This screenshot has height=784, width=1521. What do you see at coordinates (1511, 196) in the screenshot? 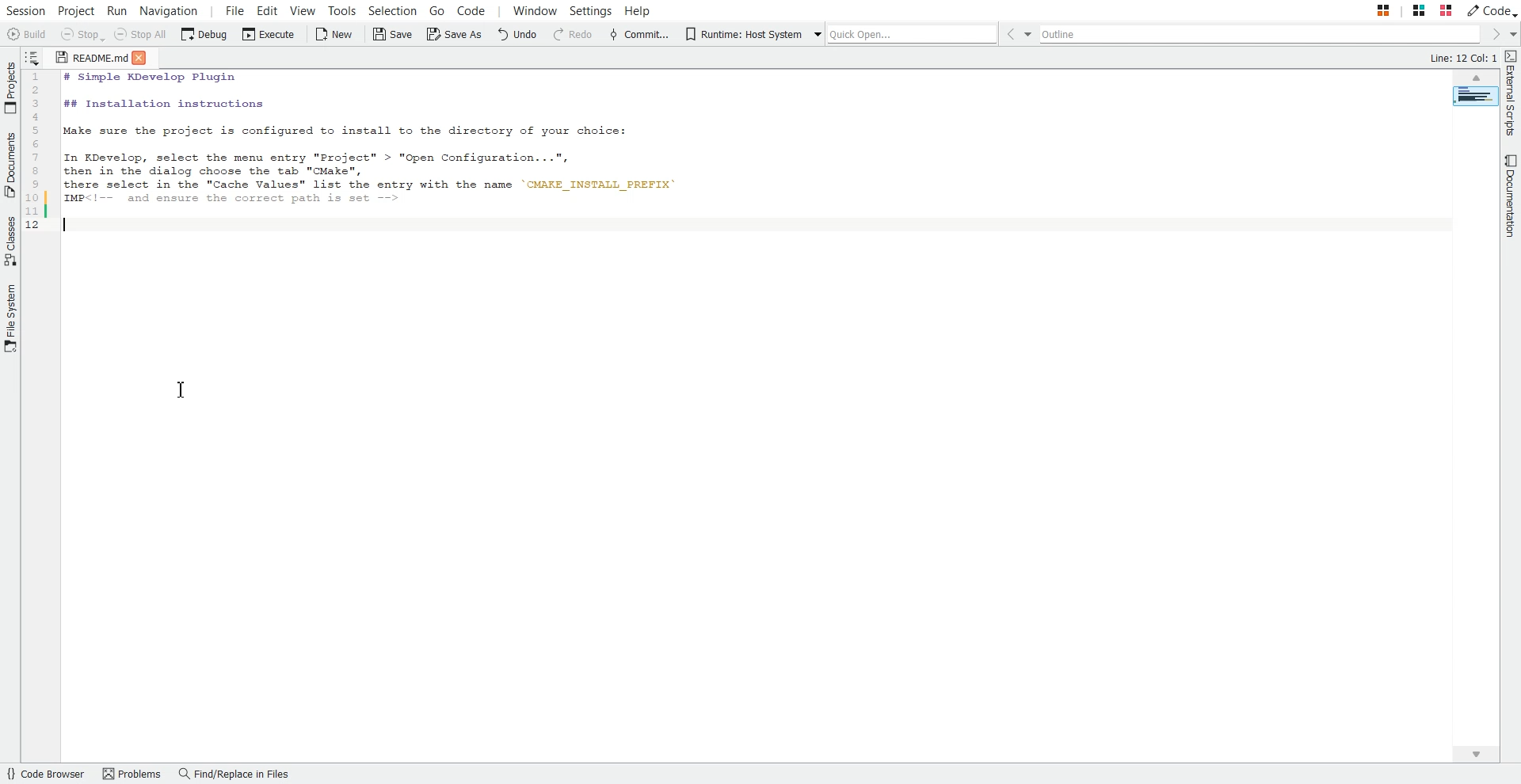
I see `Documentation` at bounding box center [1511, 196].